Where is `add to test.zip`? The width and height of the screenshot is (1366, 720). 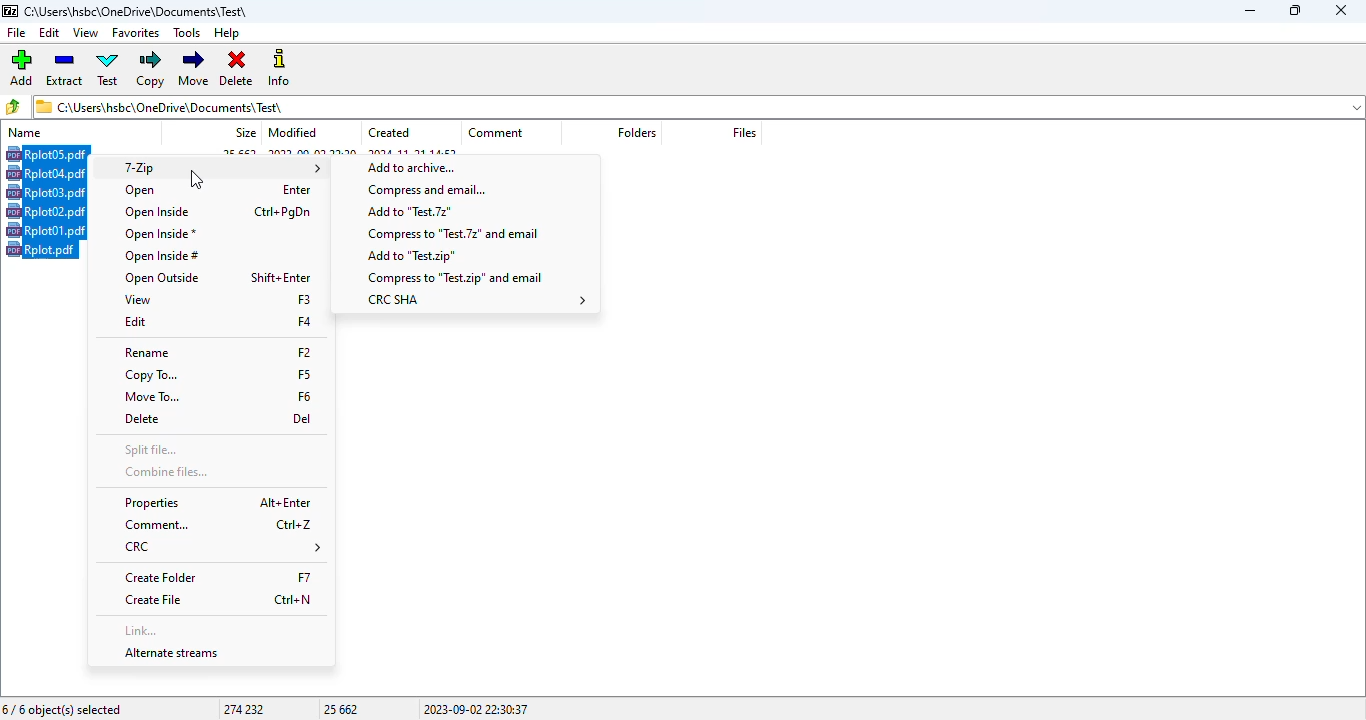 add to test.zip is located at coordinates (412, 256).